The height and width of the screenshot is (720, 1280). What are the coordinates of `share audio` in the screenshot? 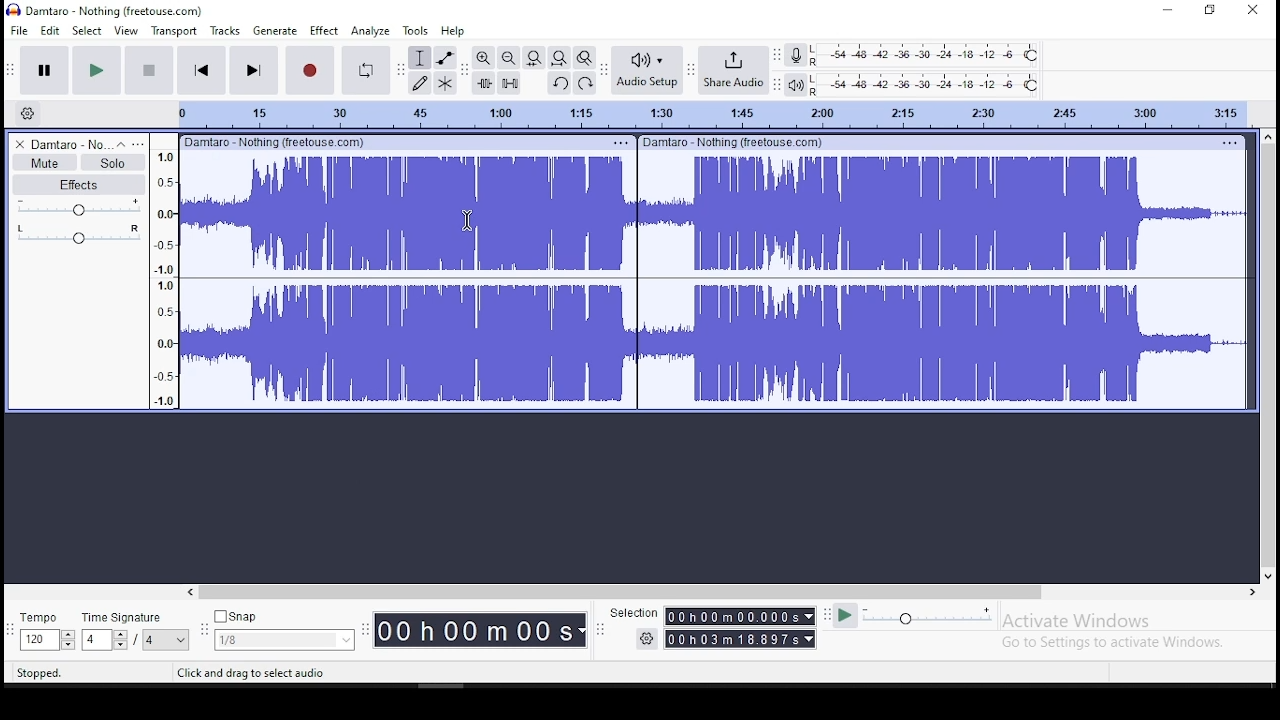 It's located at (732, 72).